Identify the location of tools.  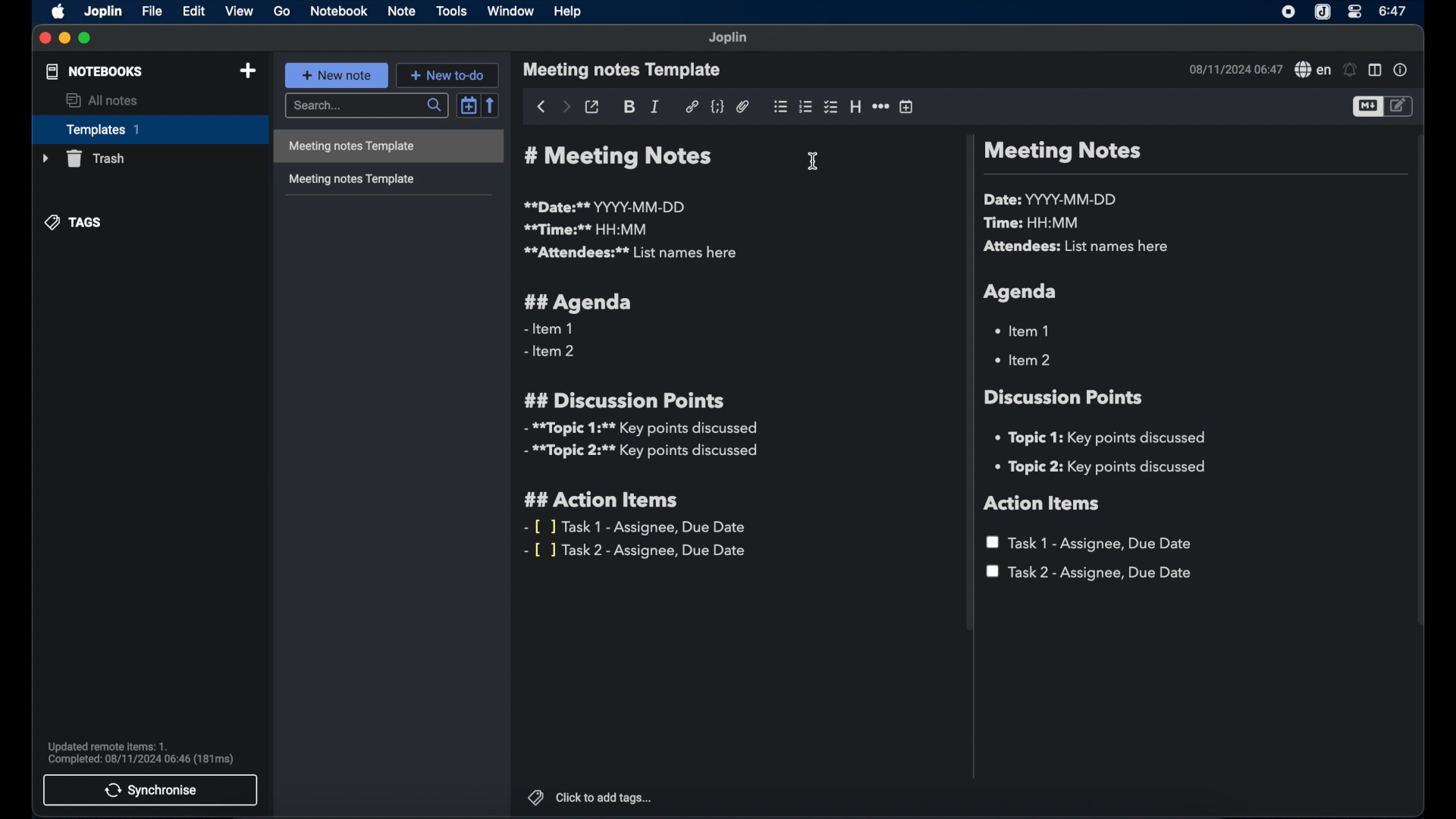
(451, 11).